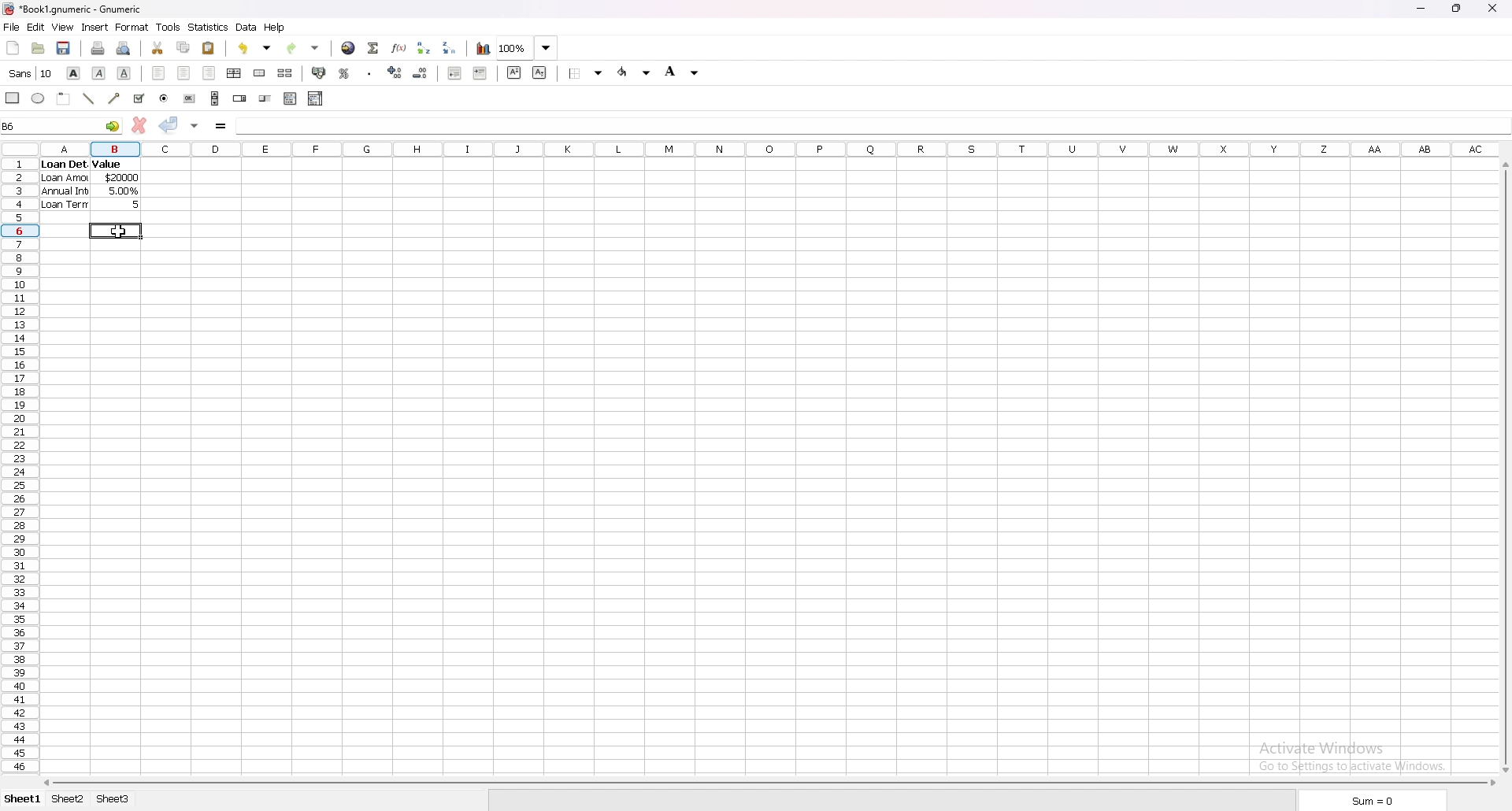 The height and width of the screenshot is (811, 1512). Describe the element at coordinates (247, 28) in the screenshot. I see `data` at that location.